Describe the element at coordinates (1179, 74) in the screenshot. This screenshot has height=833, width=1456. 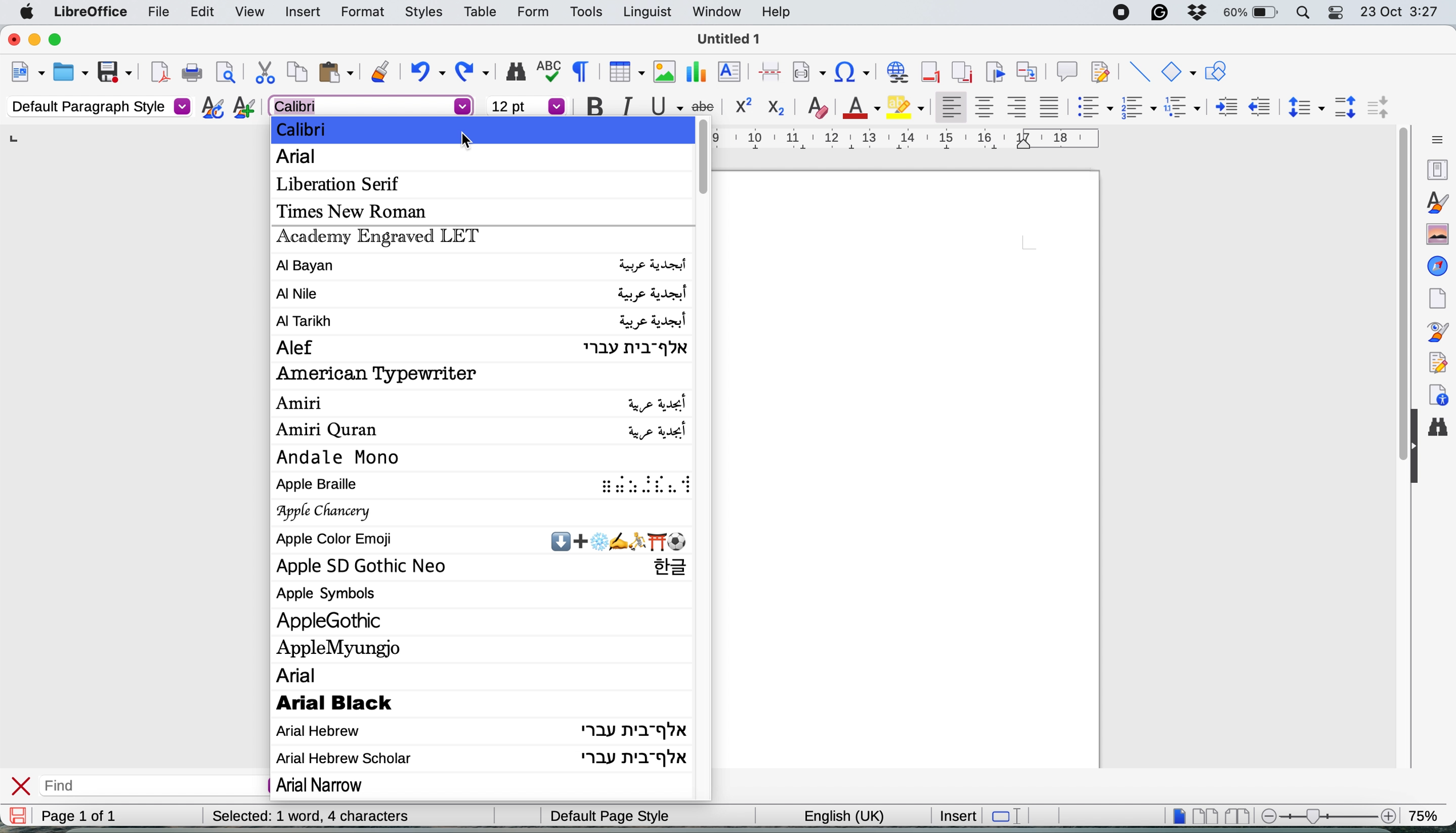
I see `basic shapes` at that location.